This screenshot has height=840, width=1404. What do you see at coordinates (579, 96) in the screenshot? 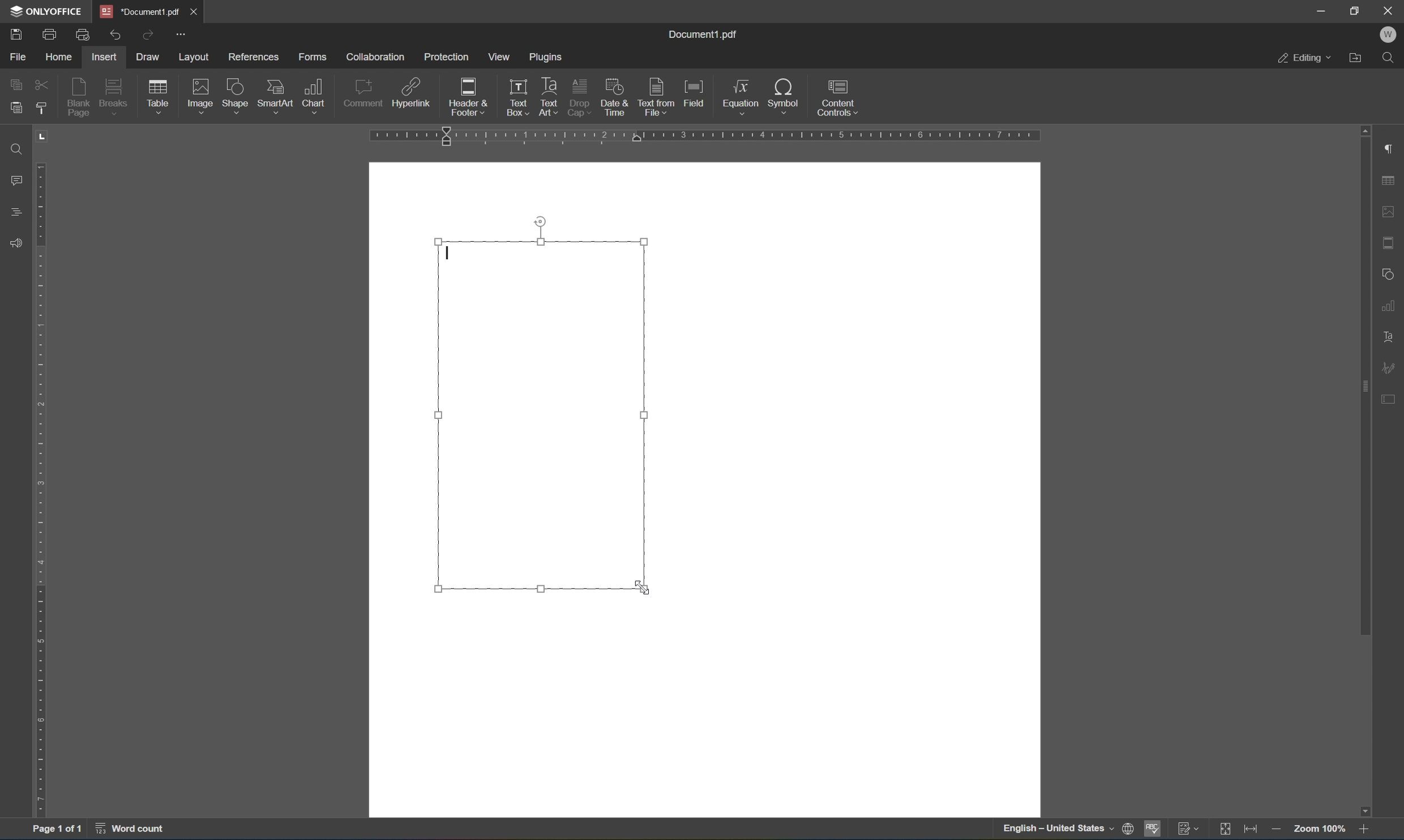
I see `drop cap` at bounding box center [579, 96].